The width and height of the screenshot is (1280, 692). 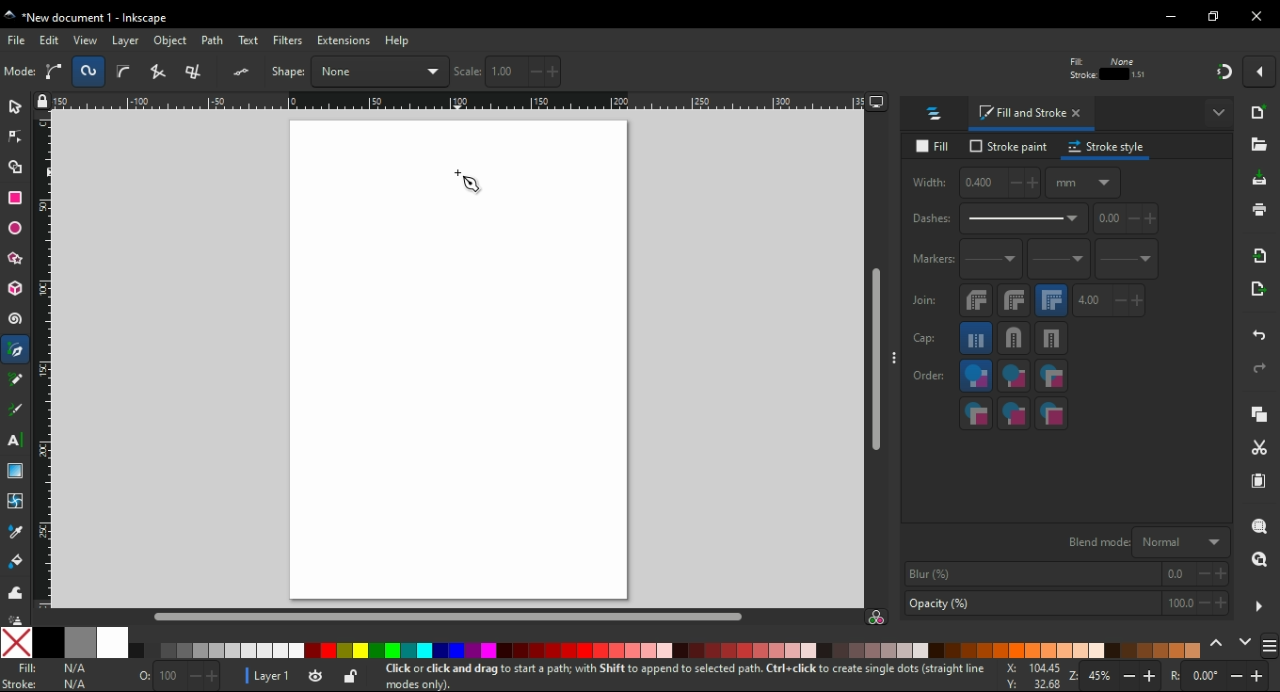 What do you see at coordinates (765, 71) in the screenshot?
I see `width` at bounding box center [765, 71].